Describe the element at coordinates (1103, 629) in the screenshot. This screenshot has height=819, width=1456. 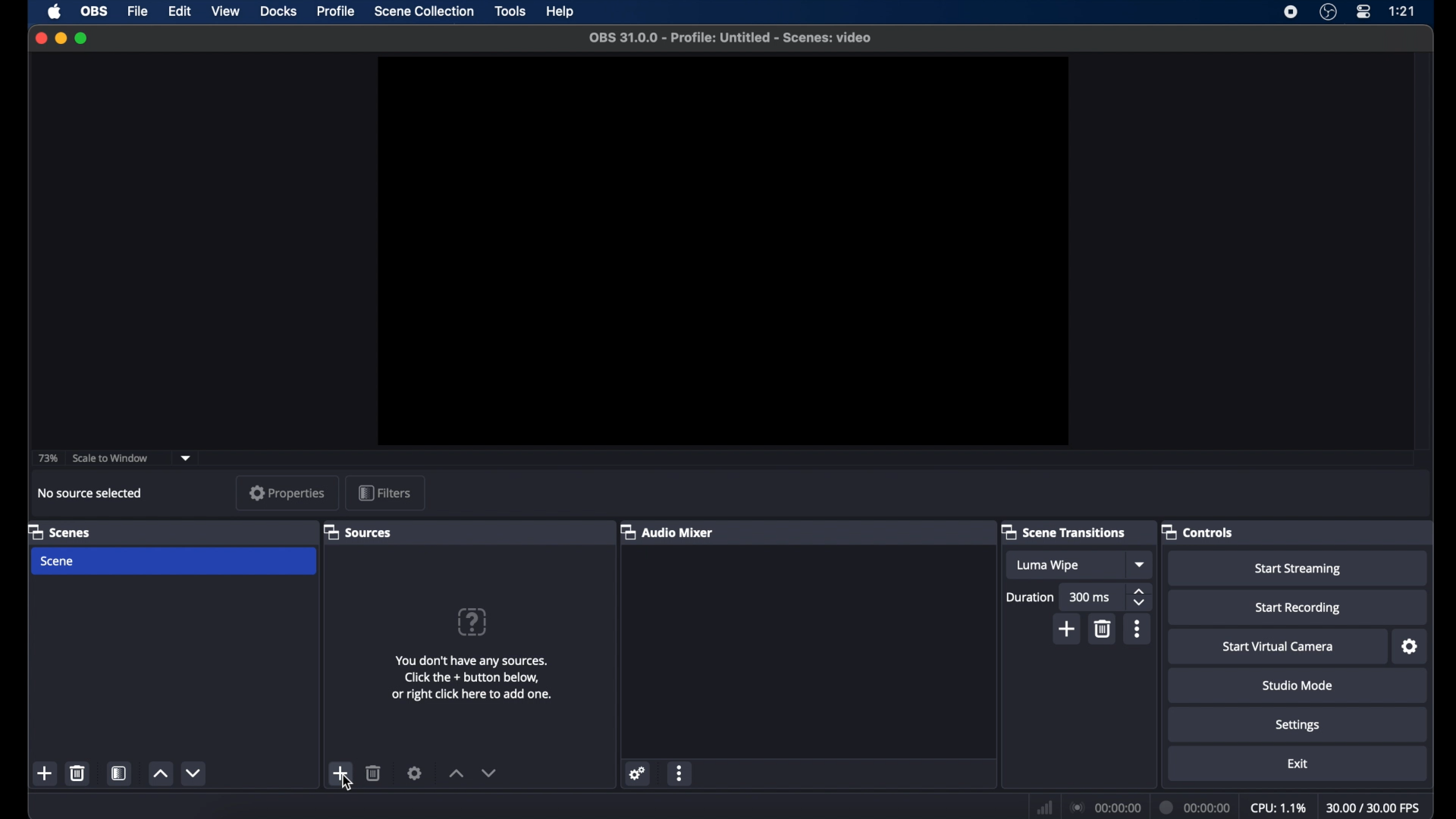
I see `delete` at that location.